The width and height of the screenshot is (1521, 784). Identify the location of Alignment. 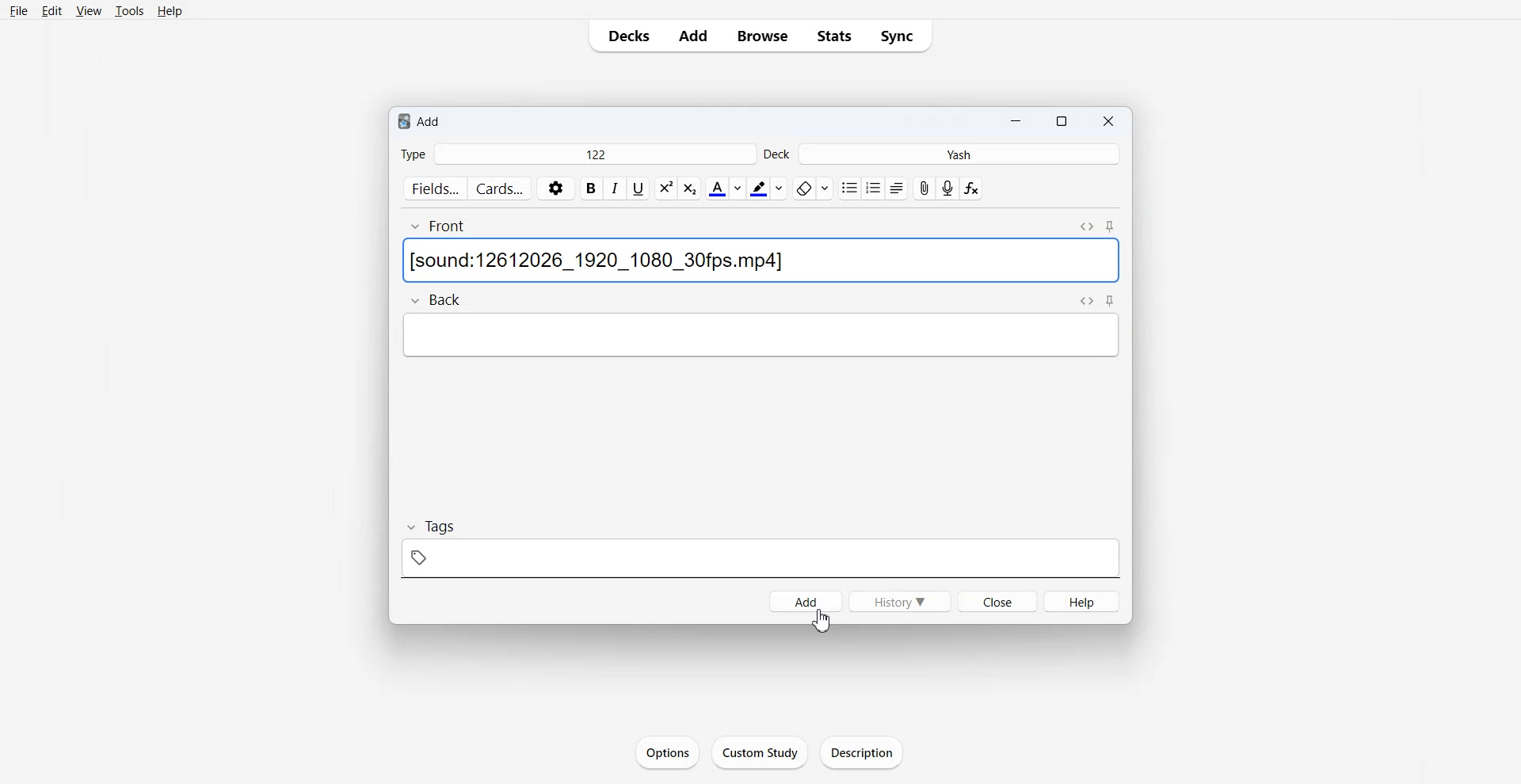
(897, 188).